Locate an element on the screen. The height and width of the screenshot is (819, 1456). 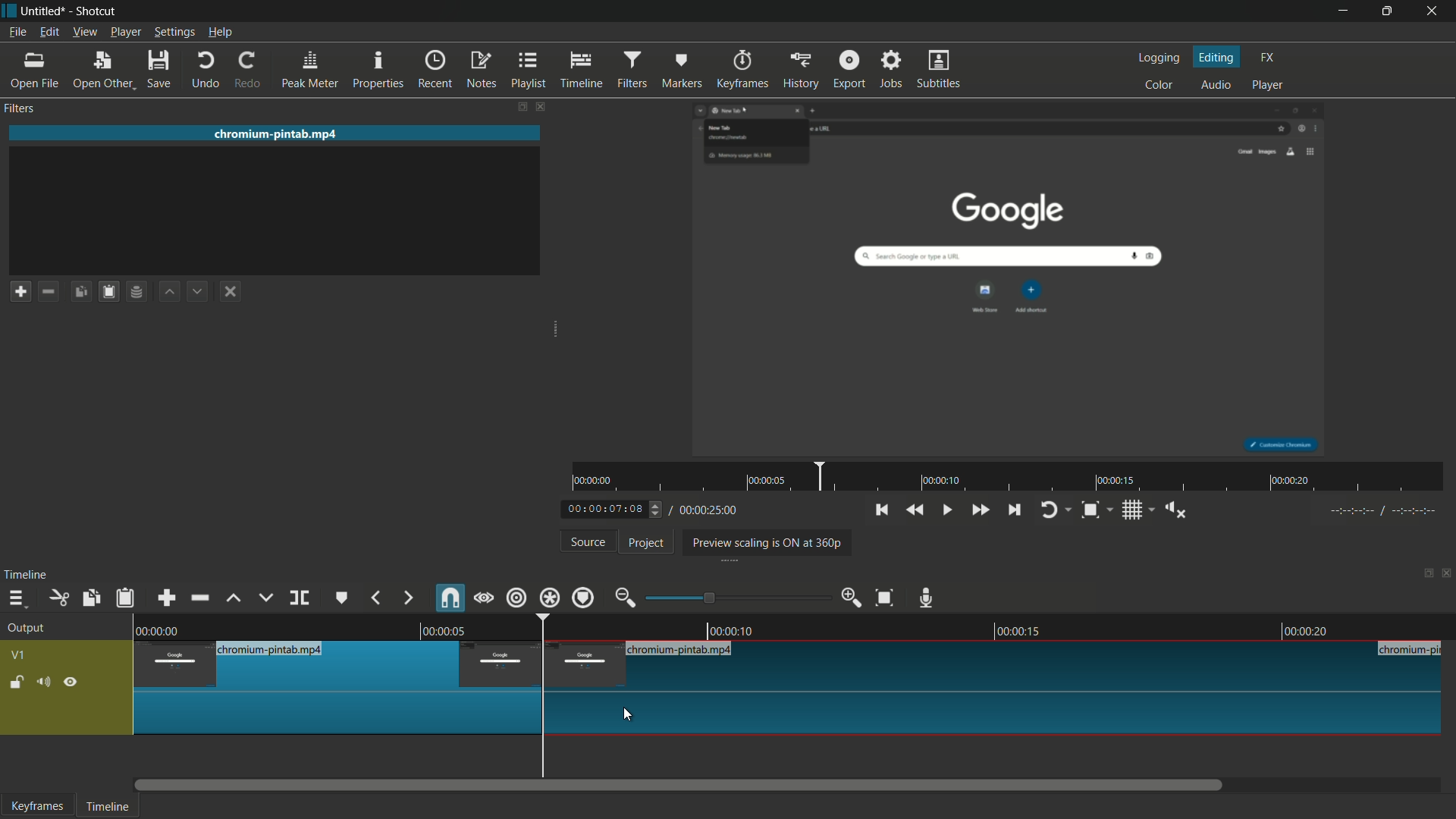
ripple delete is located at coordinates (202, 598).